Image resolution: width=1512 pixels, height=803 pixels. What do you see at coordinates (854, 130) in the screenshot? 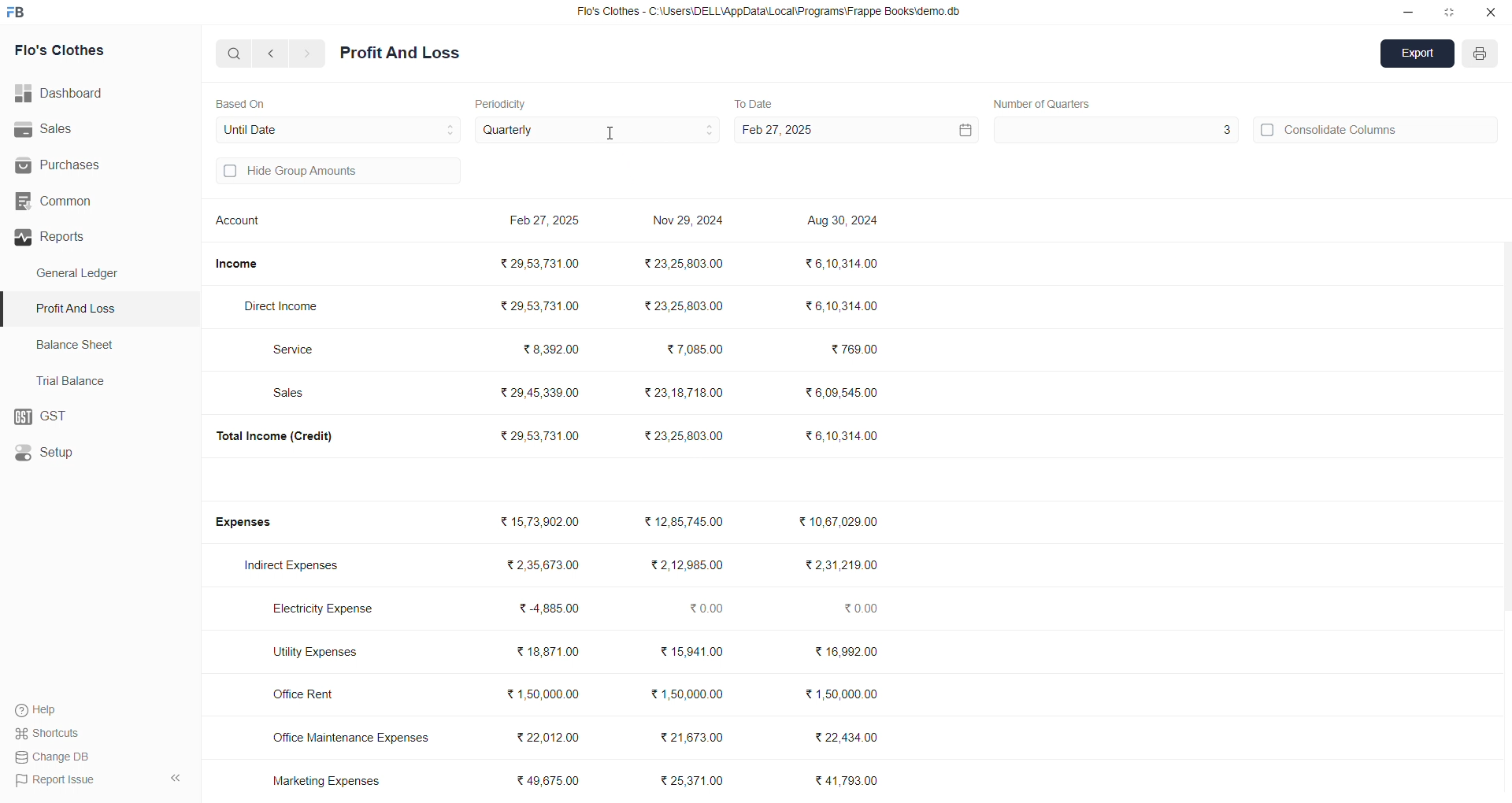
I see `Feb 27, 2025` at bounding box center [854, 130].